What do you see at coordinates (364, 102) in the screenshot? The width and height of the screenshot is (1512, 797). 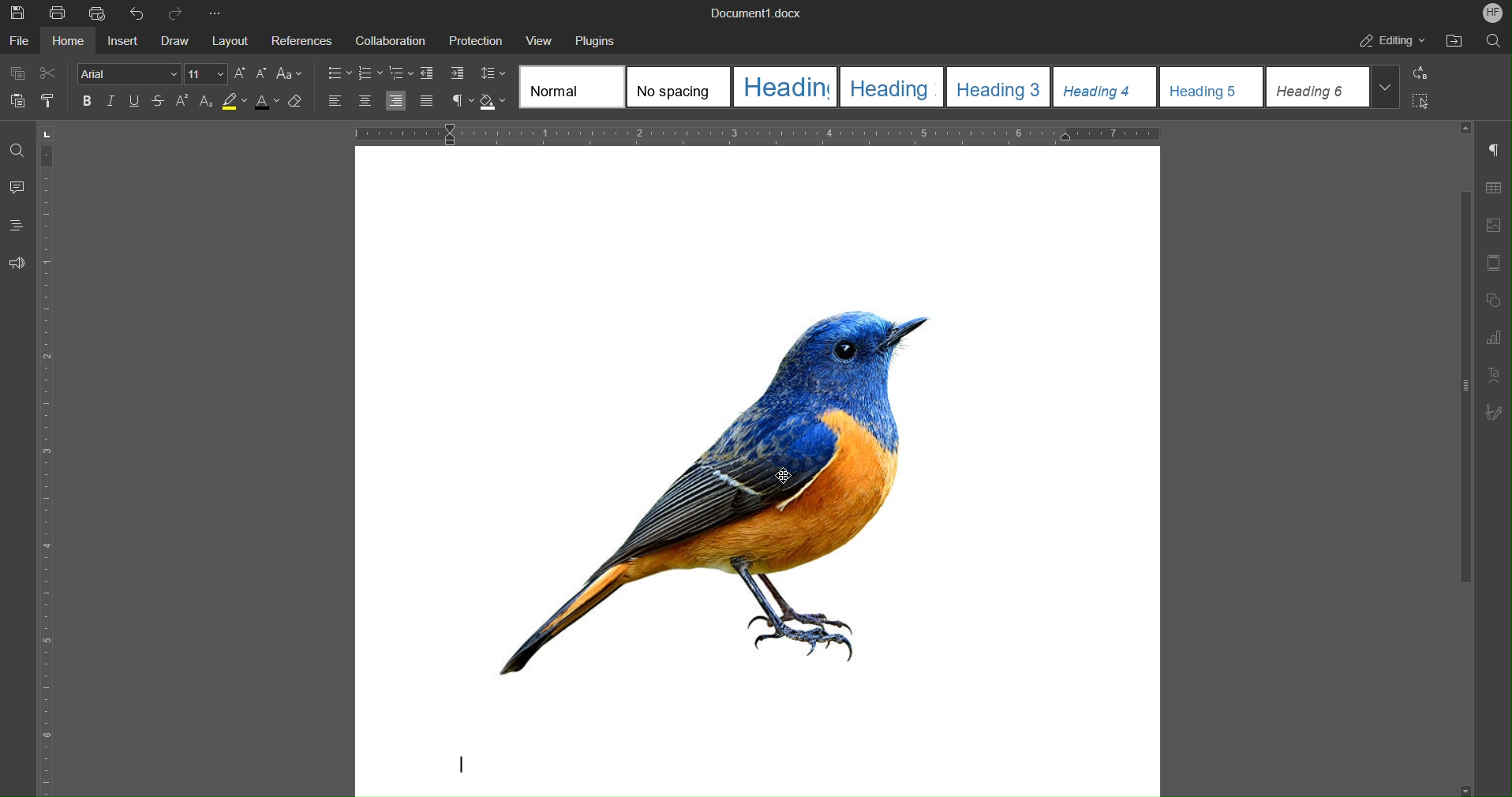 I see `Align Center` at bounding box center [364, 102].